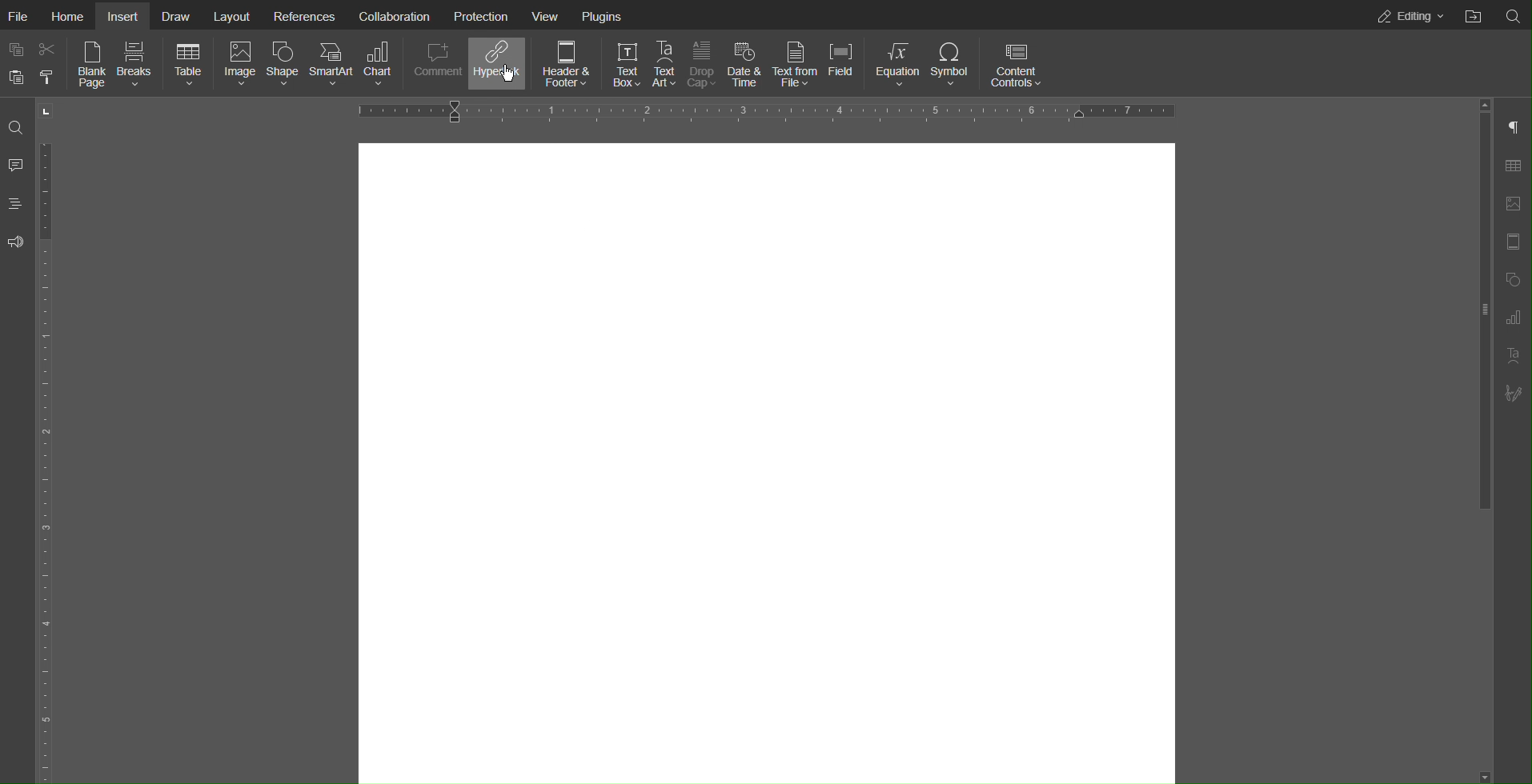 This screenshot has width=1532, height=784. I want to click on Header Footer, so click(1512, 244).